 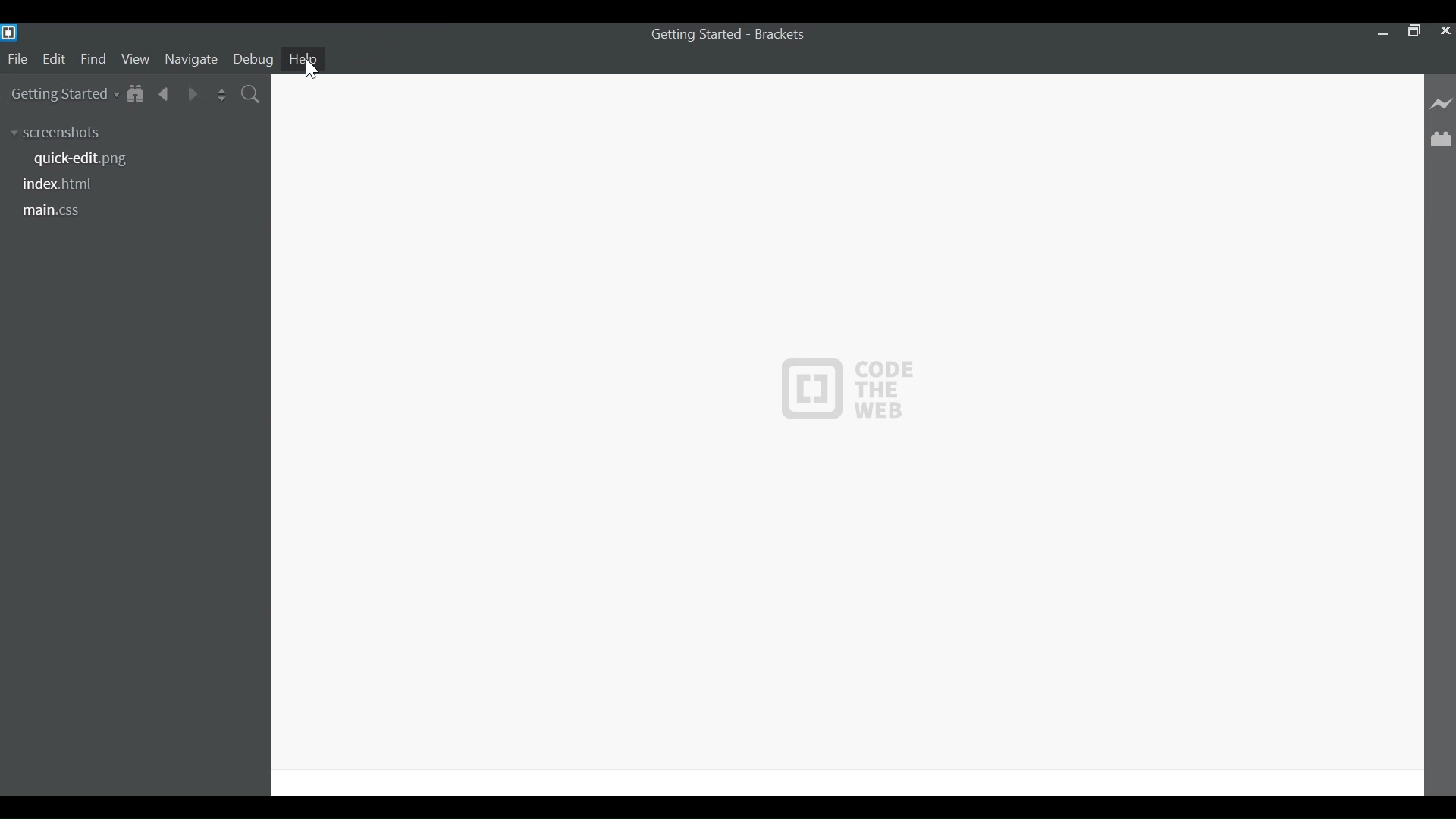 What do you see at coordinates (1413, 30) in the screenshot?
I see `Restore` at bounding box center [1413, 30].